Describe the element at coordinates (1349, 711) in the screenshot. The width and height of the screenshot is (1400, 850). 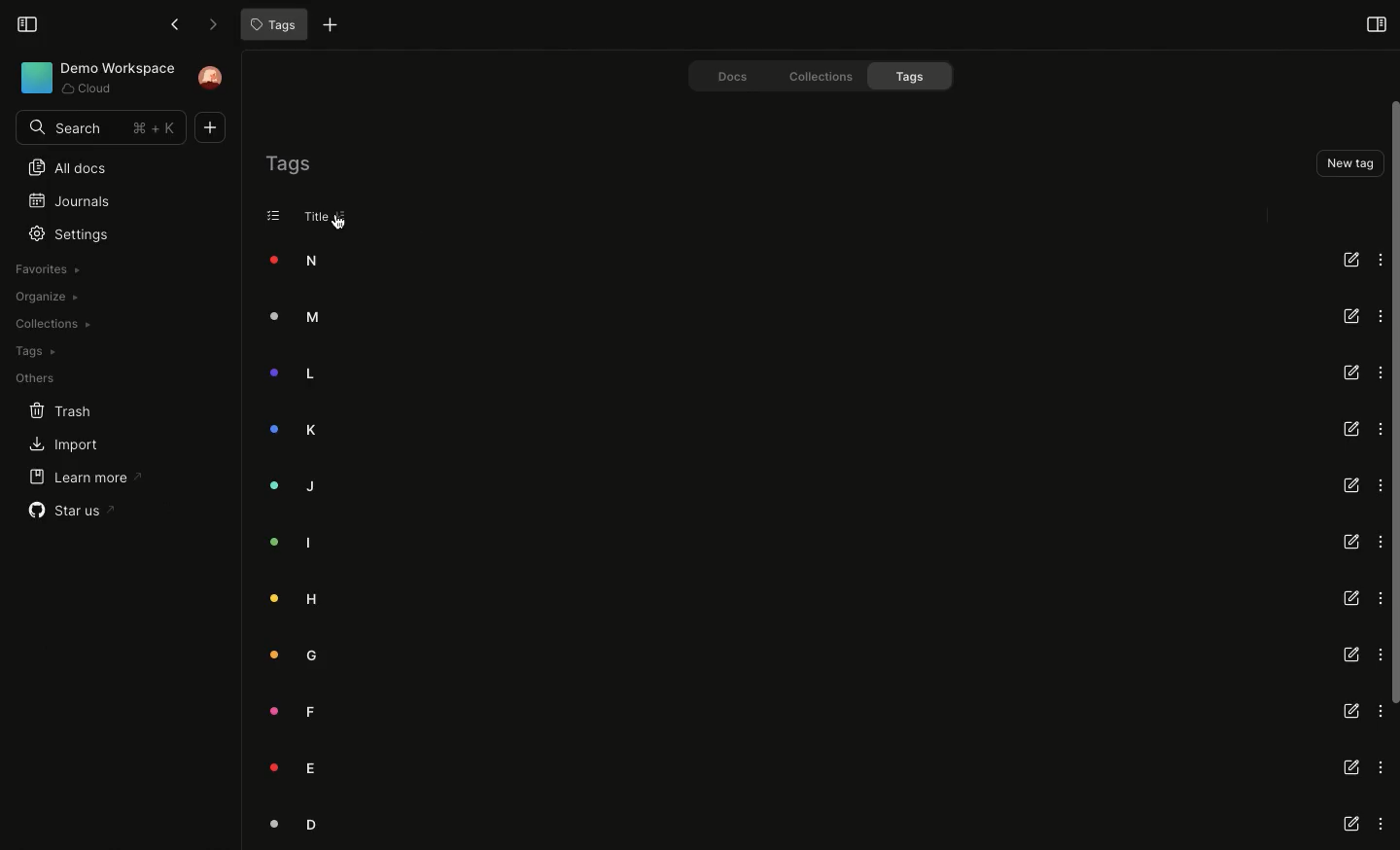
I see `Rename` at that location.